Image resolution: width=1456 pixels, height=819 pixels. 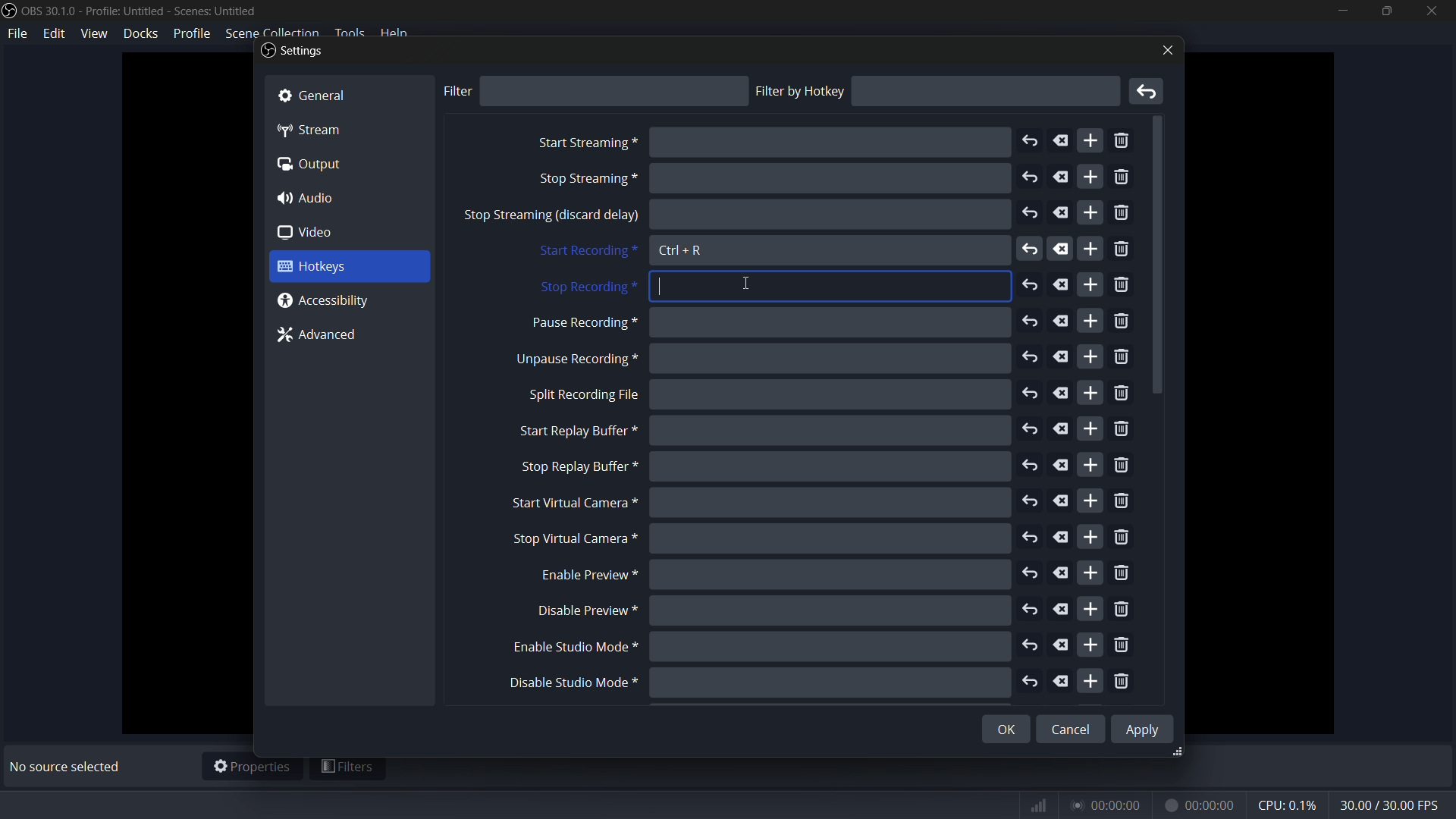 What do you see at coordinates (1125, 394) in the screenshot?
I see `remove` at bounding box center [1125, 394].